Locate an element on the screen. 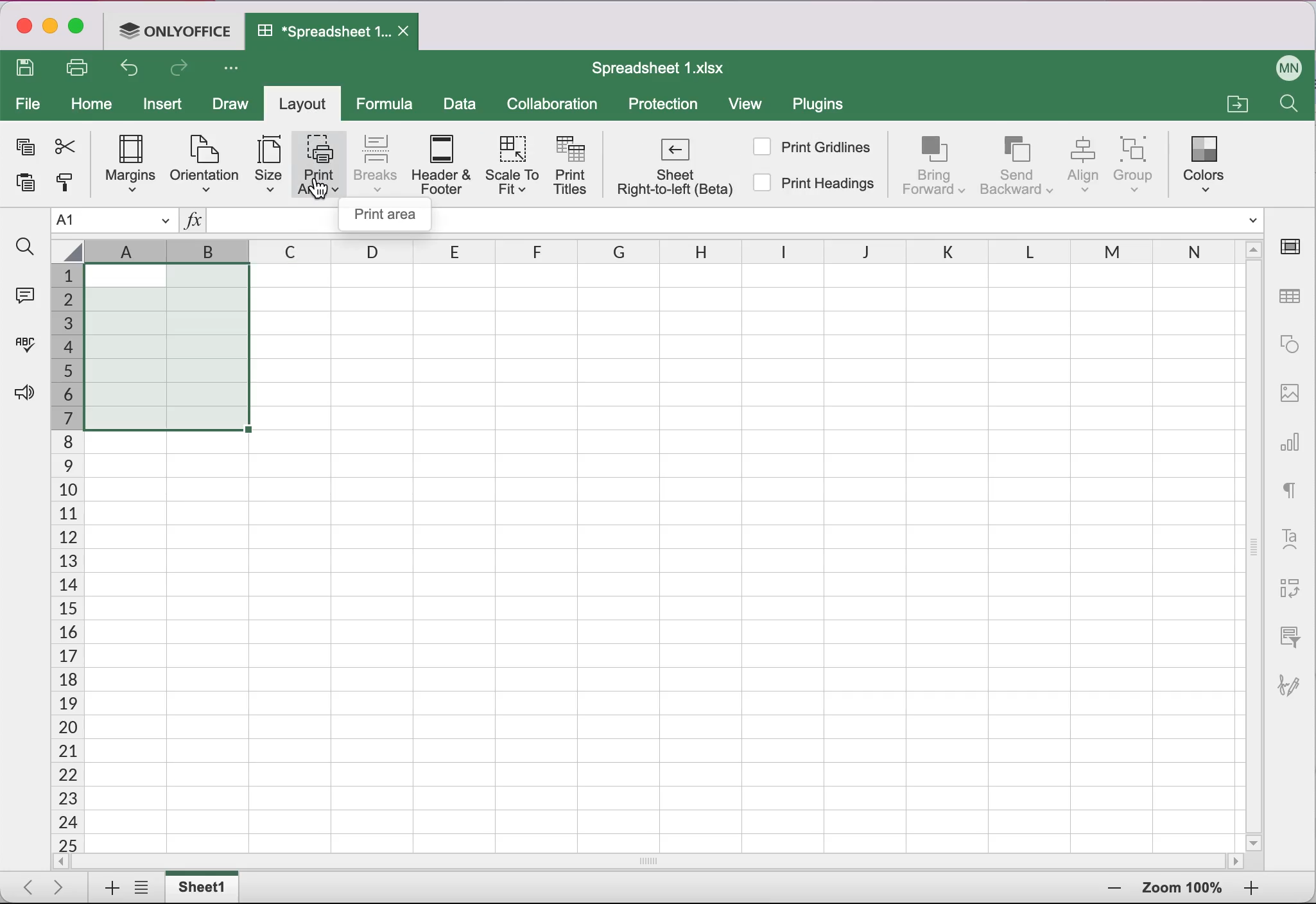 The width and height of the screenshot is (1316, 904). Scale to fit is located at coordinates (515, 168).